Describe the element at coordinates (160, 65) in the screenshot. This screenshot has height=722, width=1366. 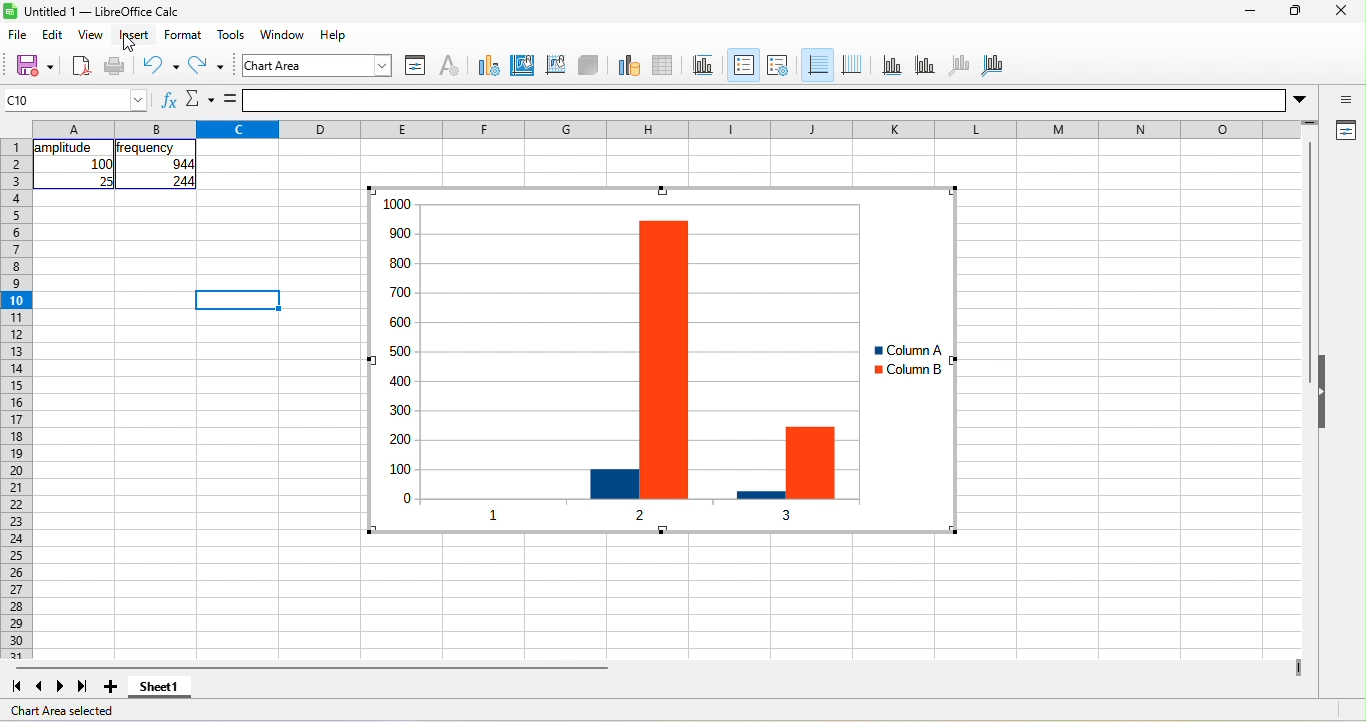
I see `undo` at that location.